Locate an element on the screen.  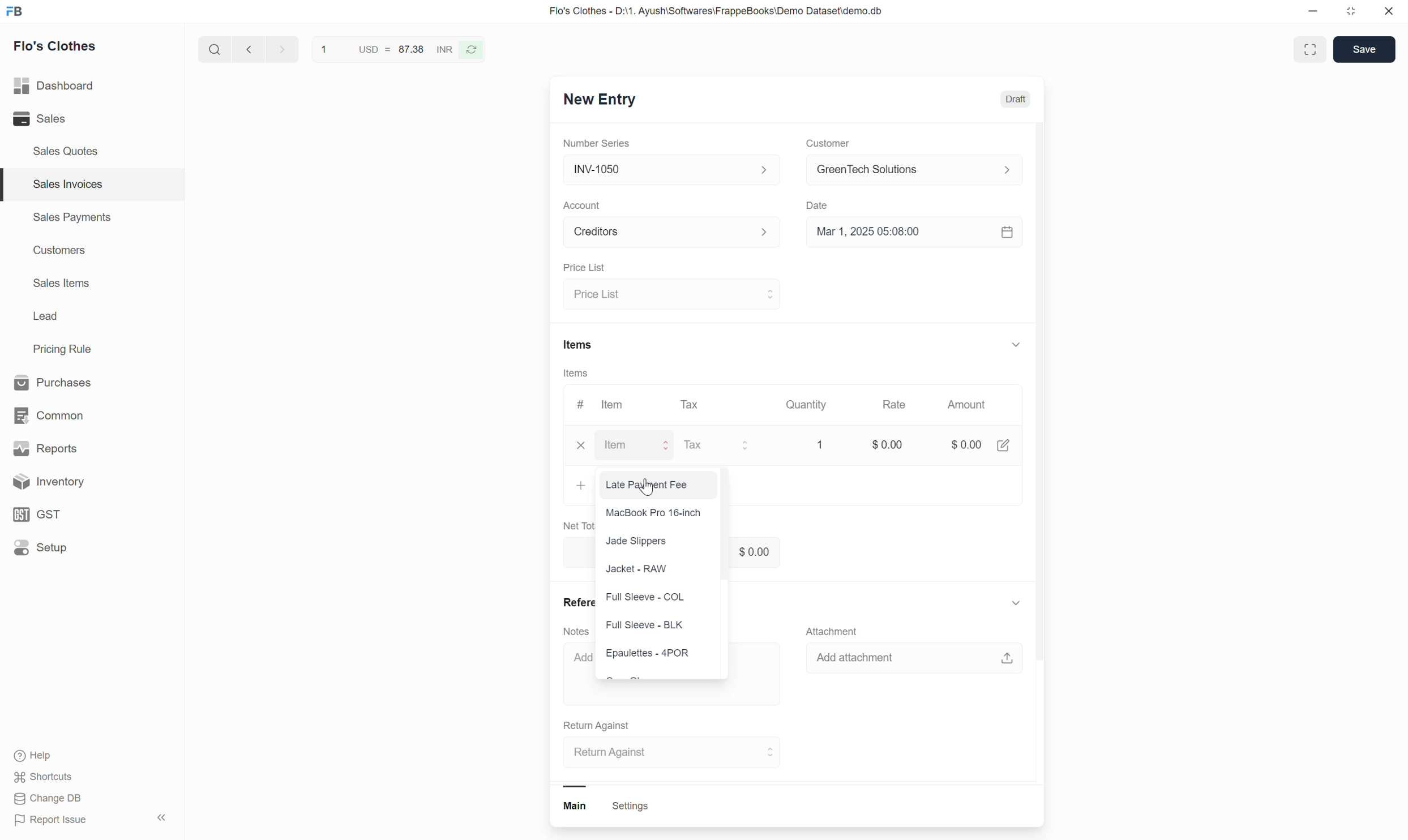
resize  is located at coordinates (1355, 14).